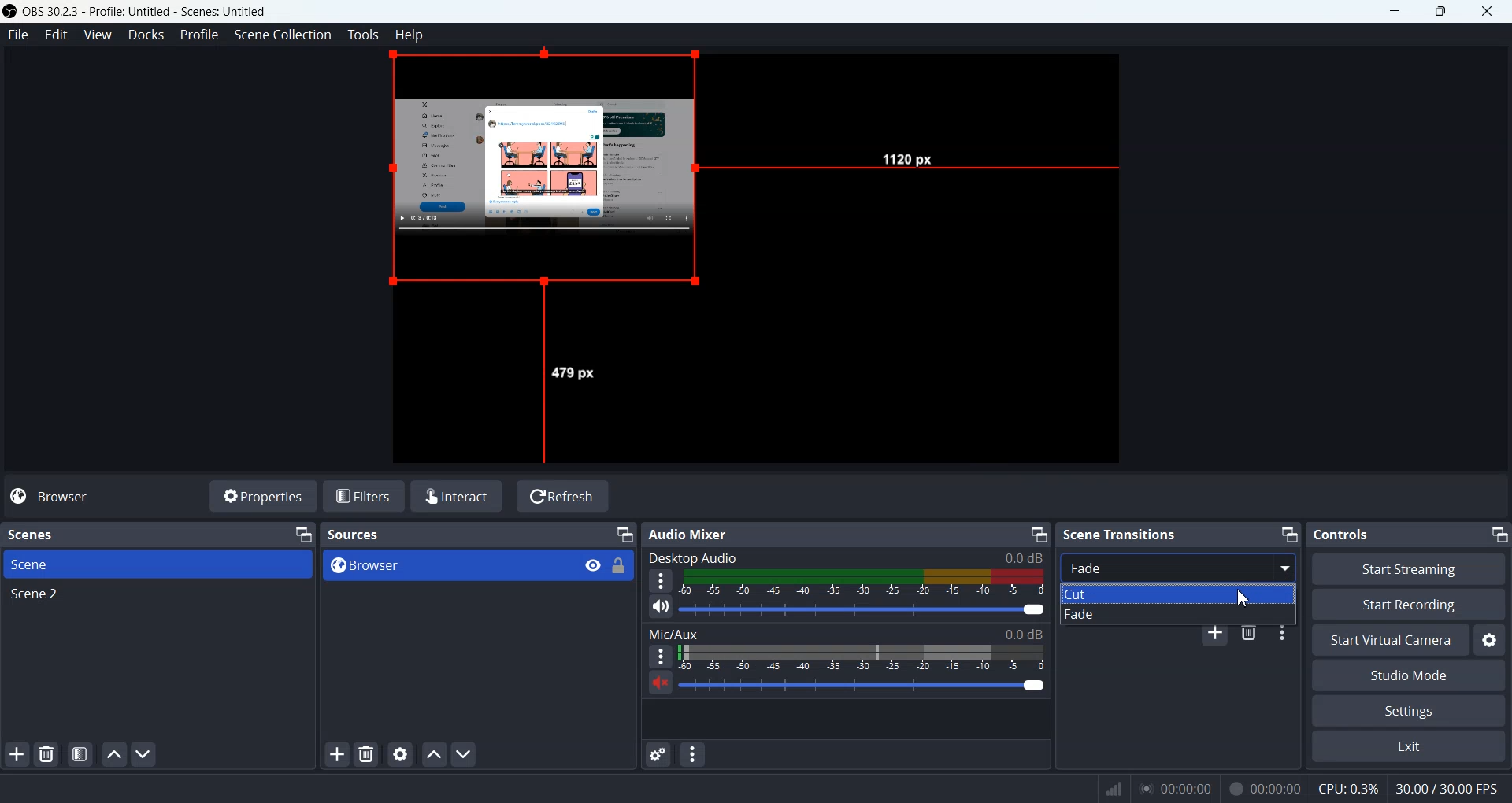 The width and height of the screenshot is (1512, 803). What do you see at coordinates (1492, 639) in the screenshot?
I see `Settings` at bounding box center [1492, 639].